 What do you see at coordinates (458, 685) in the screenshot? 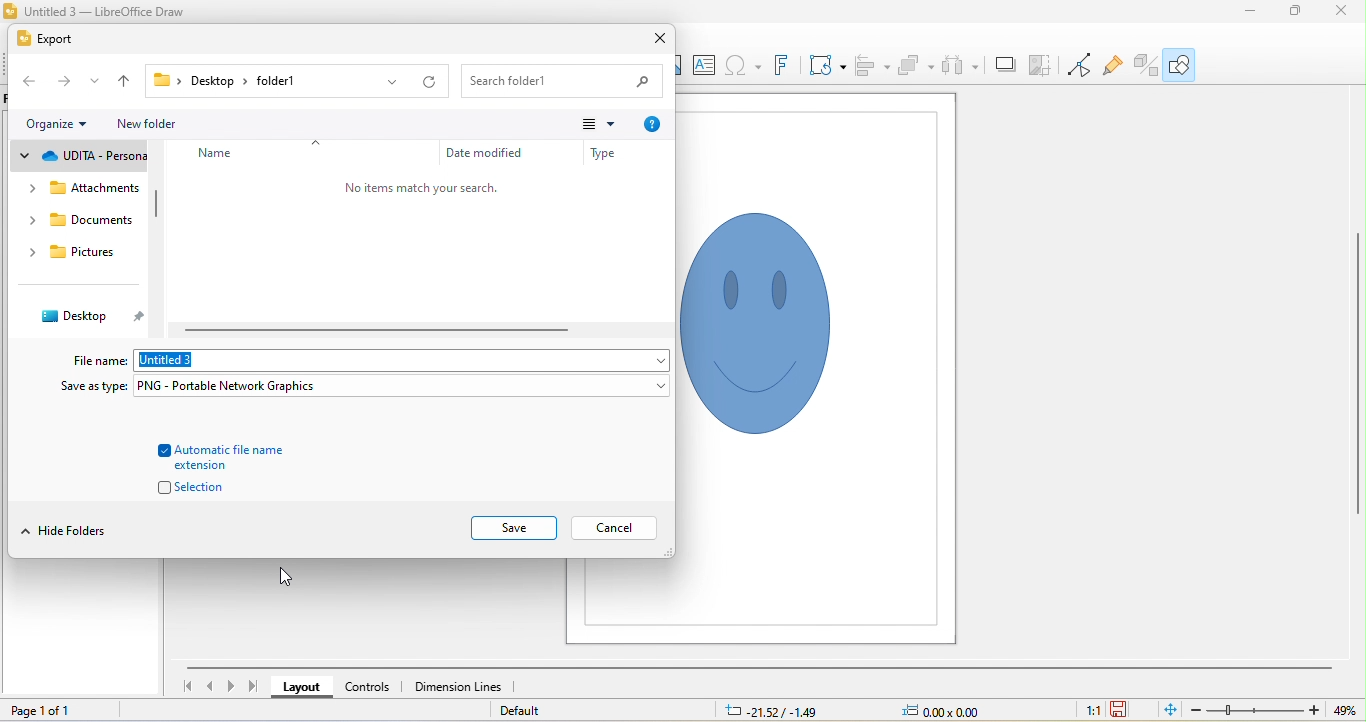
I see `dimension lines` at bounding box center [458, 685].